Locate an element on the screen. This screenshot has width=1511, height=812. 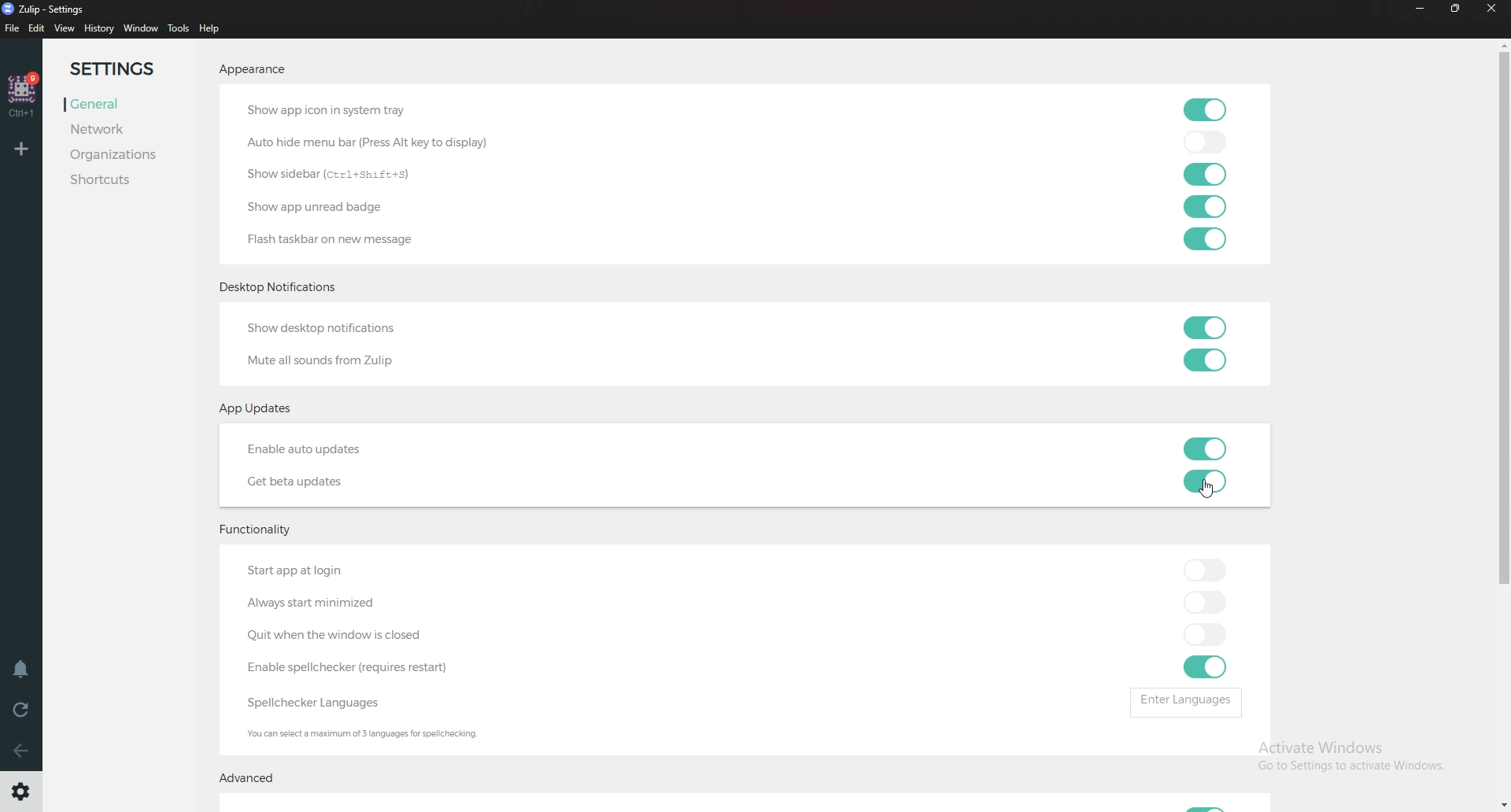
show desktop notifications is located at coordinates (367, 331).